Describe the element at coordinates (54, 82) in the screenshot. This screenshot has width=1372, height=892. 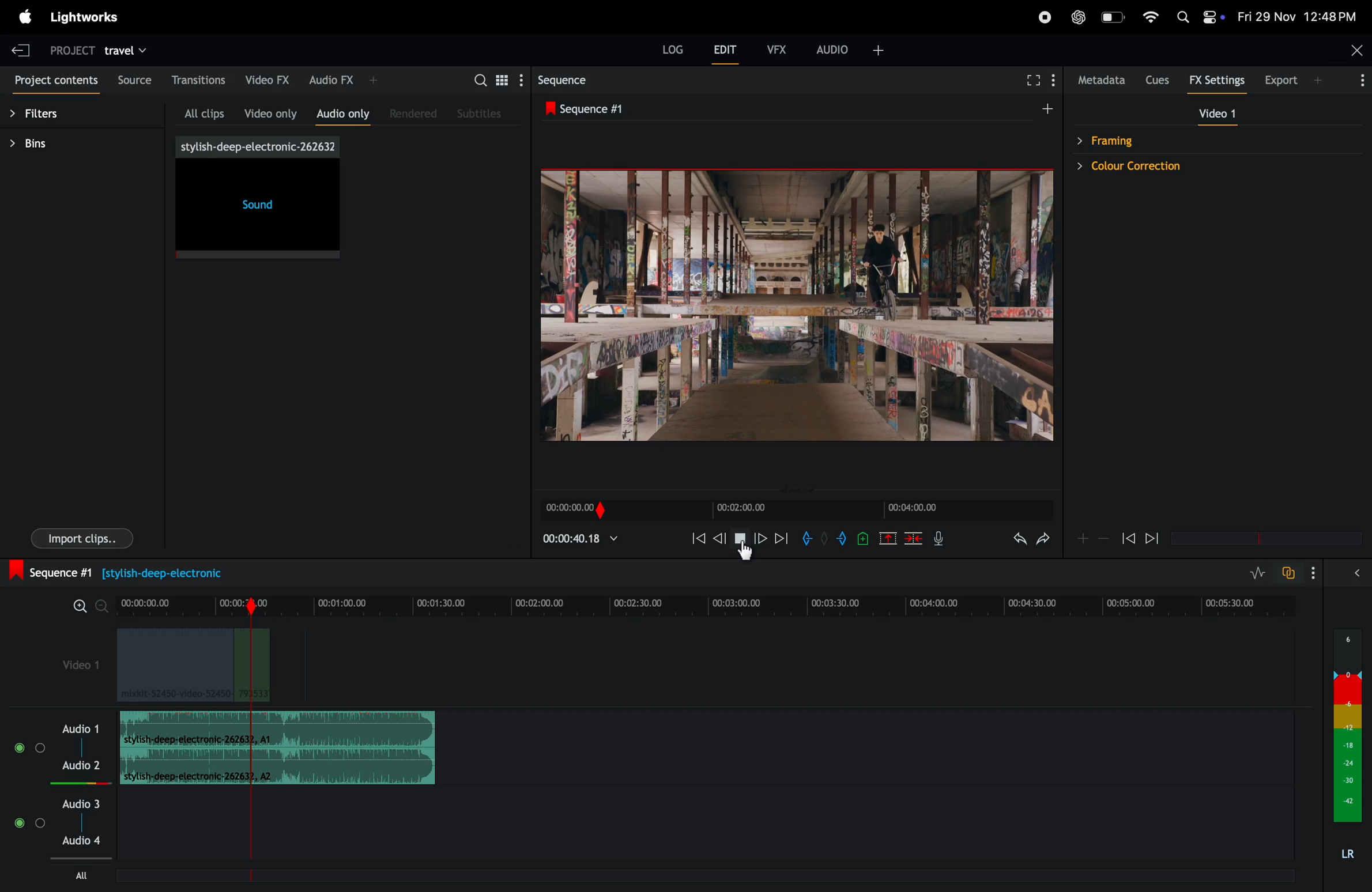
I see `project contents` at that location.